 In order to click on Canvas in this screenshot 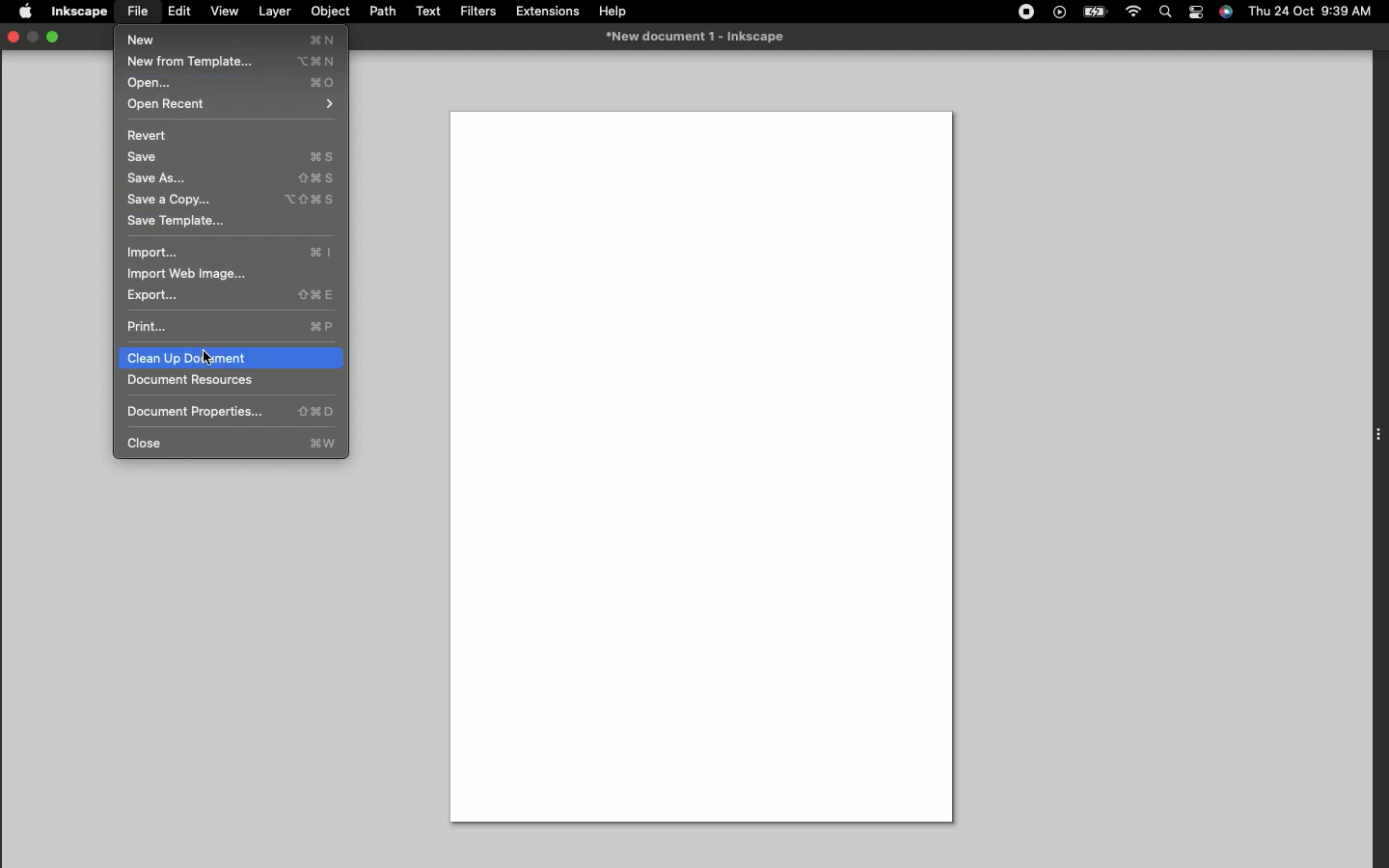, I will do `click(702, 467)`.